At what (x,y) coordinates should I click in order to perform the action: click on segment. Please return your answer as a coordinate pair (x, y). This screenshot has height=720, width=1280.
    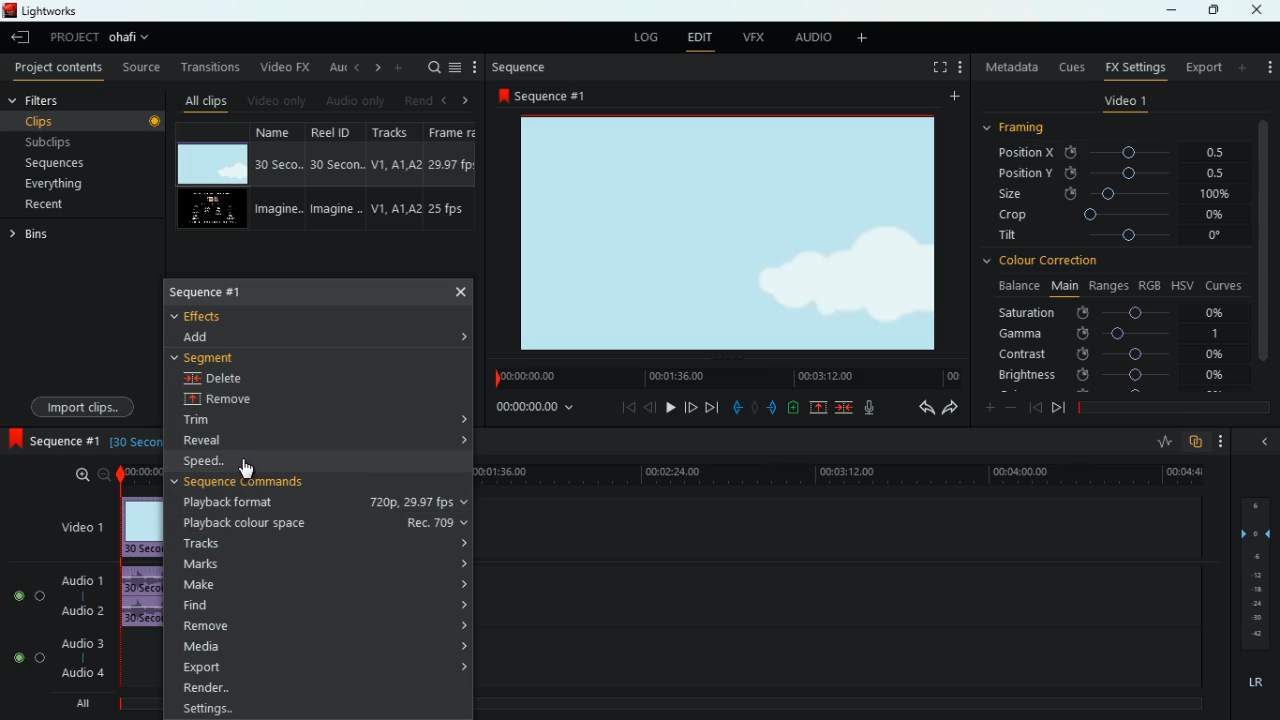
    Looking at the image, I should click on (218, 358).